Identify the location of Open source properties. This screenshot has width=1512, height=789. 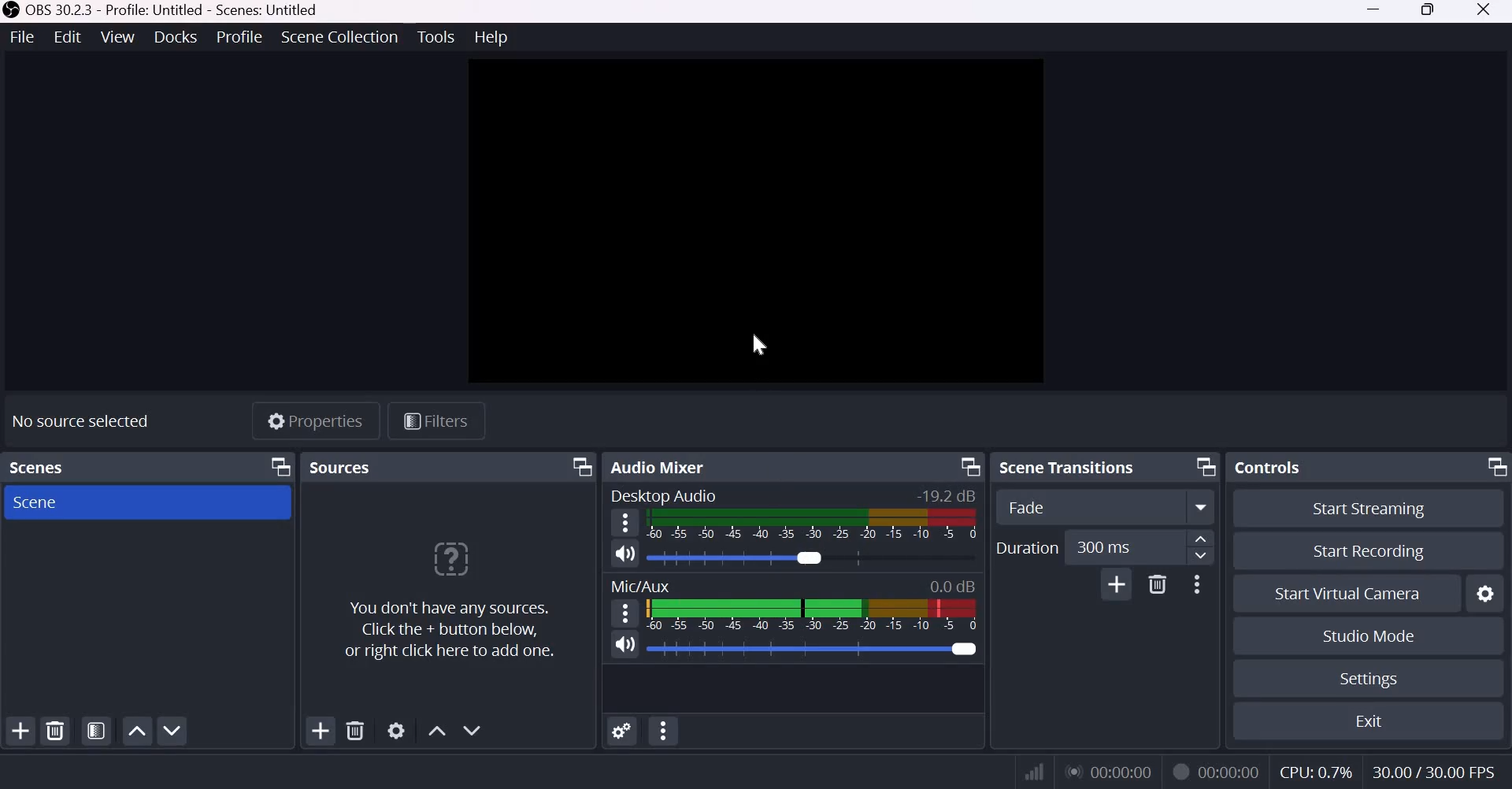
(398, 730).